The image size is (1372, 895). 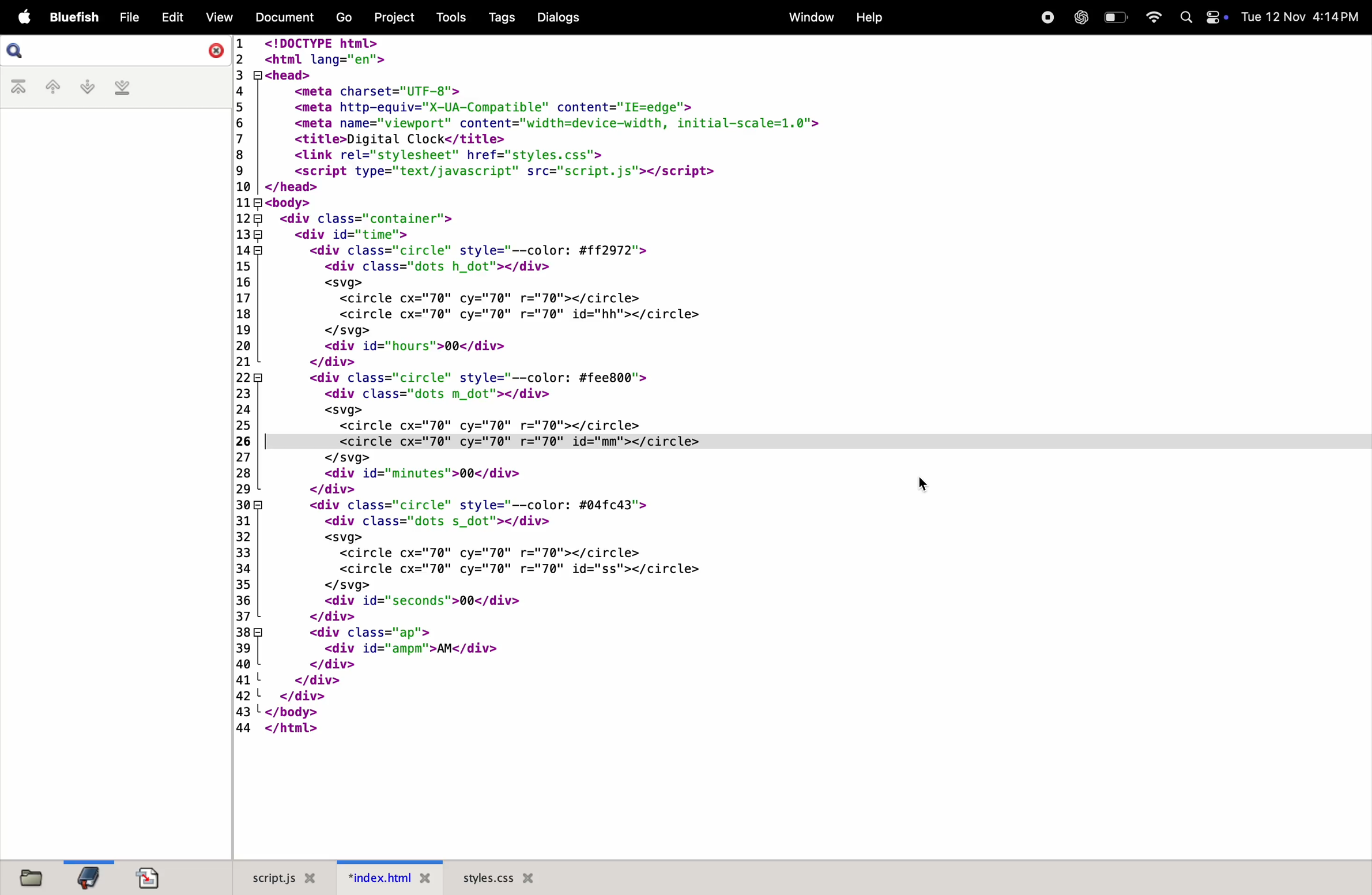 I want to click on new document, so click(x=154, y=877).